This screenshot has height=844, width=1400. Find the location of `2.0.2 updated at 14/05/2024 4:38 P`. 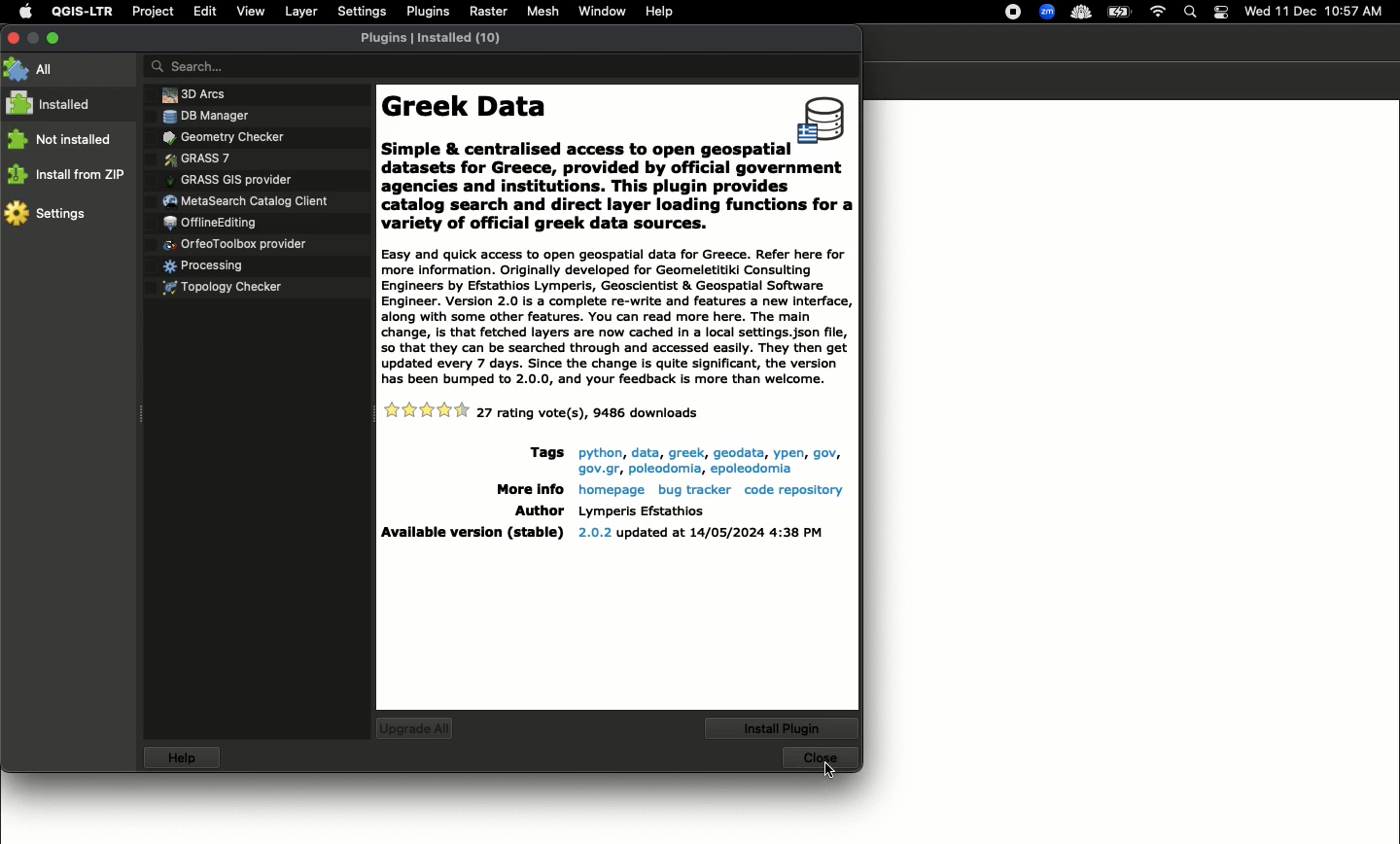

2.0.2 updated at 14/05/2024 4:38 P is located at coordinates (701, 533).